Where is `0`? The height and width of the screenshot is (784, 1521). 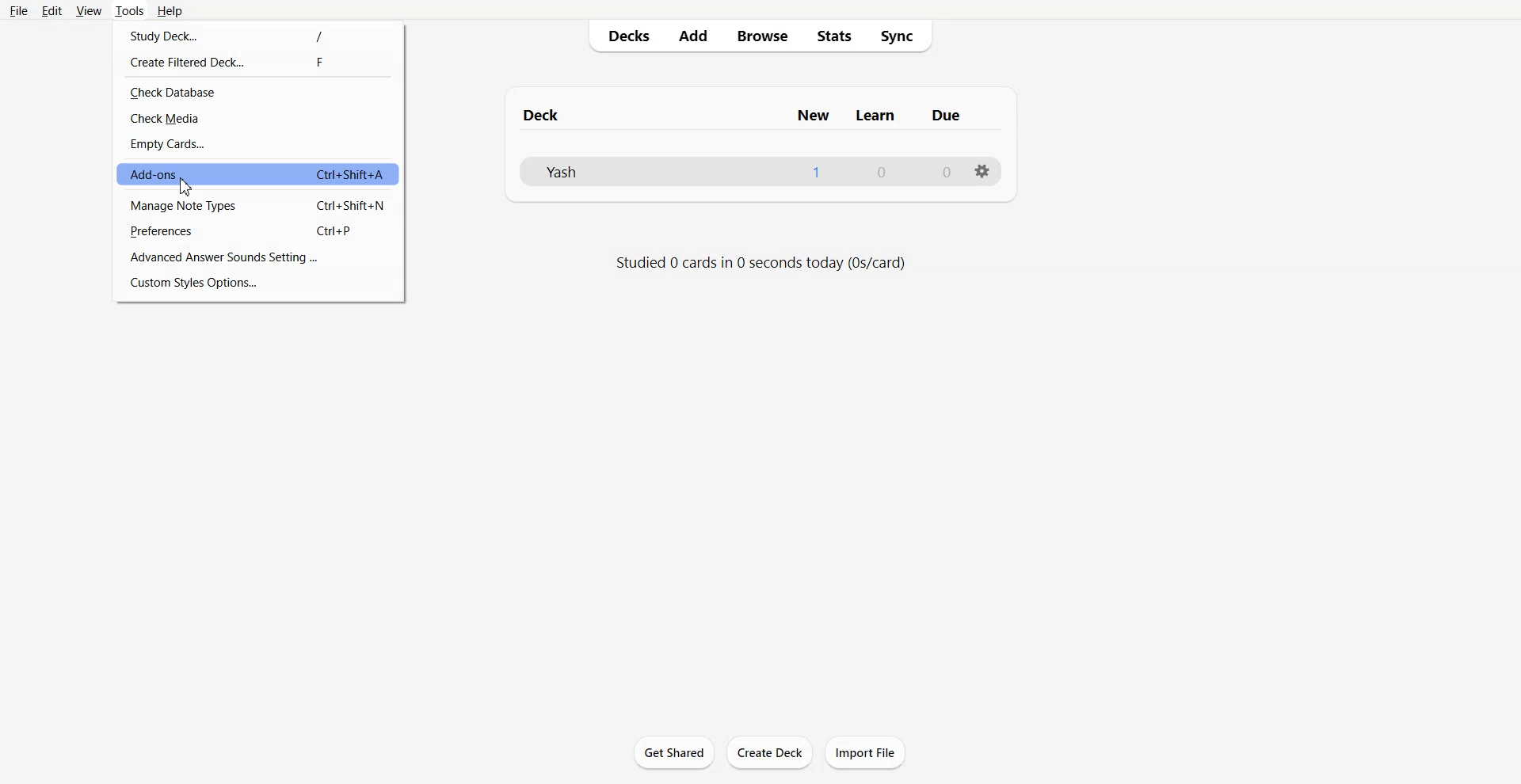 0 is located at coordinates (882, 171).